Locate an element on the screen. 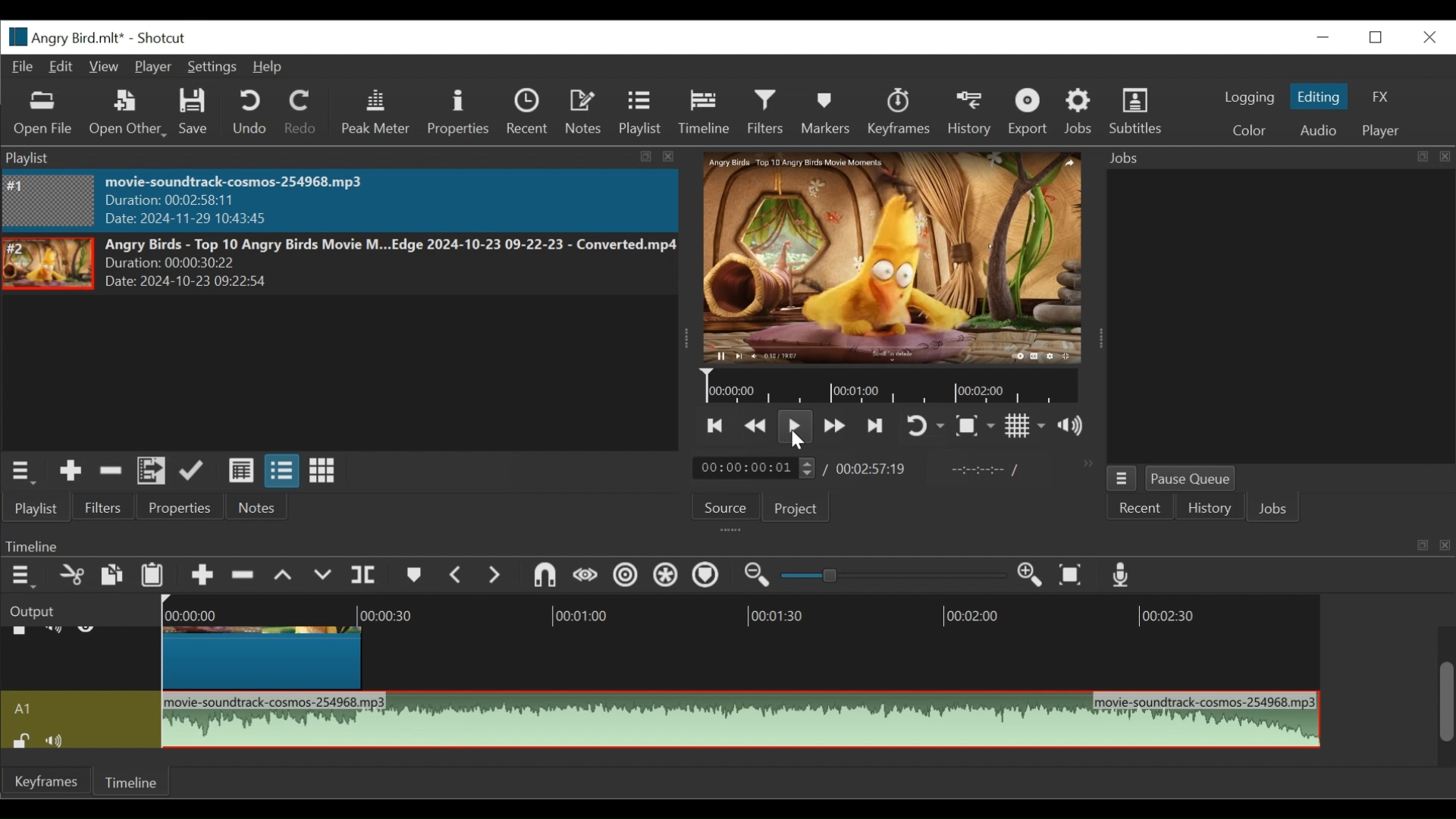 This screenshot has width=1456, height=819. Toggle display grid on the player is located at coordinates (1026, 427).